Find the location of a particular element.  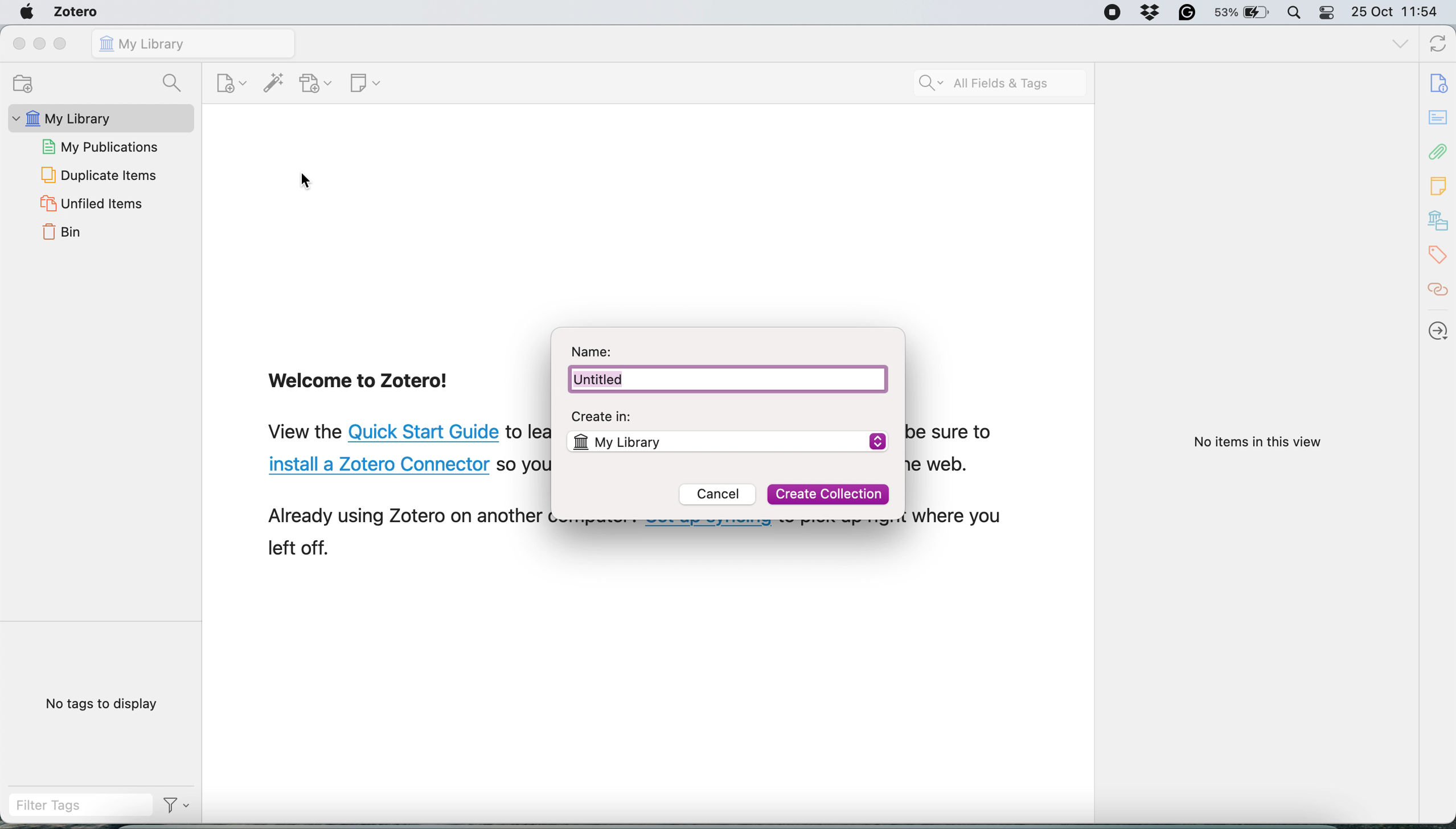

sync with zotero.org is located at coordinates (1436, 46).